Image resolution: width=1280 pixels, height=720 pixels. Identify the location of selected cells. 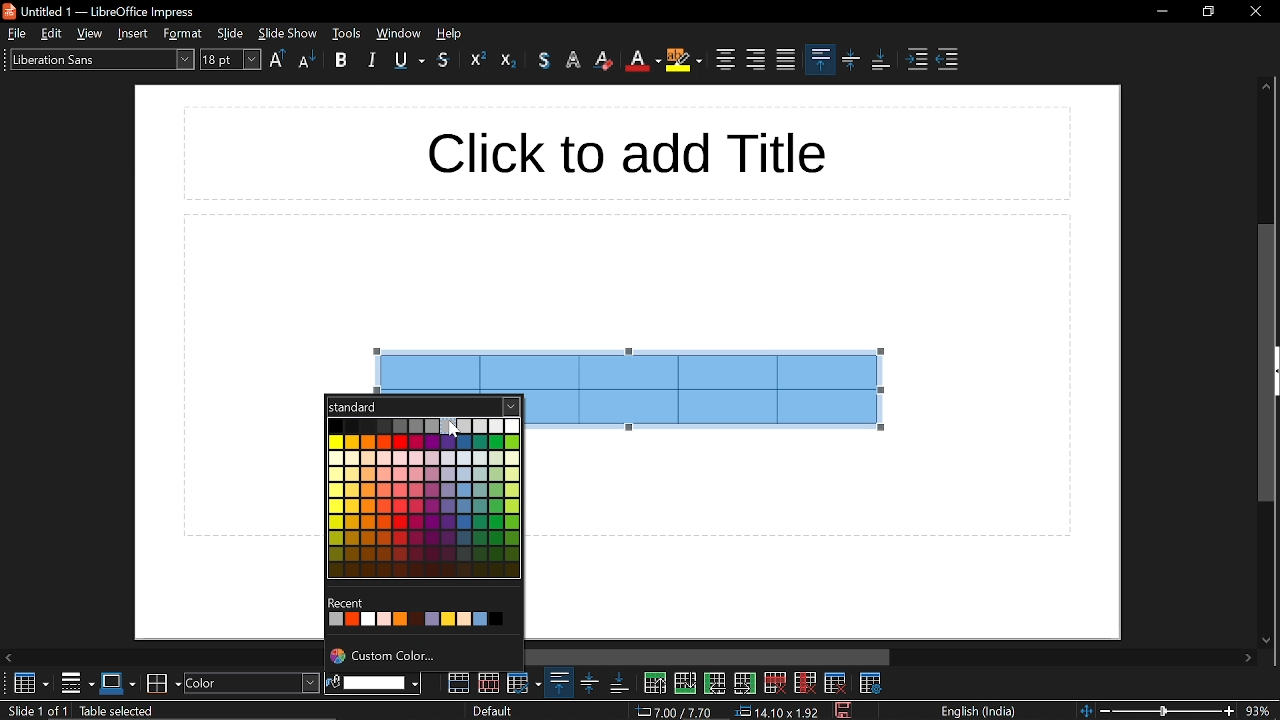
(713, 389).